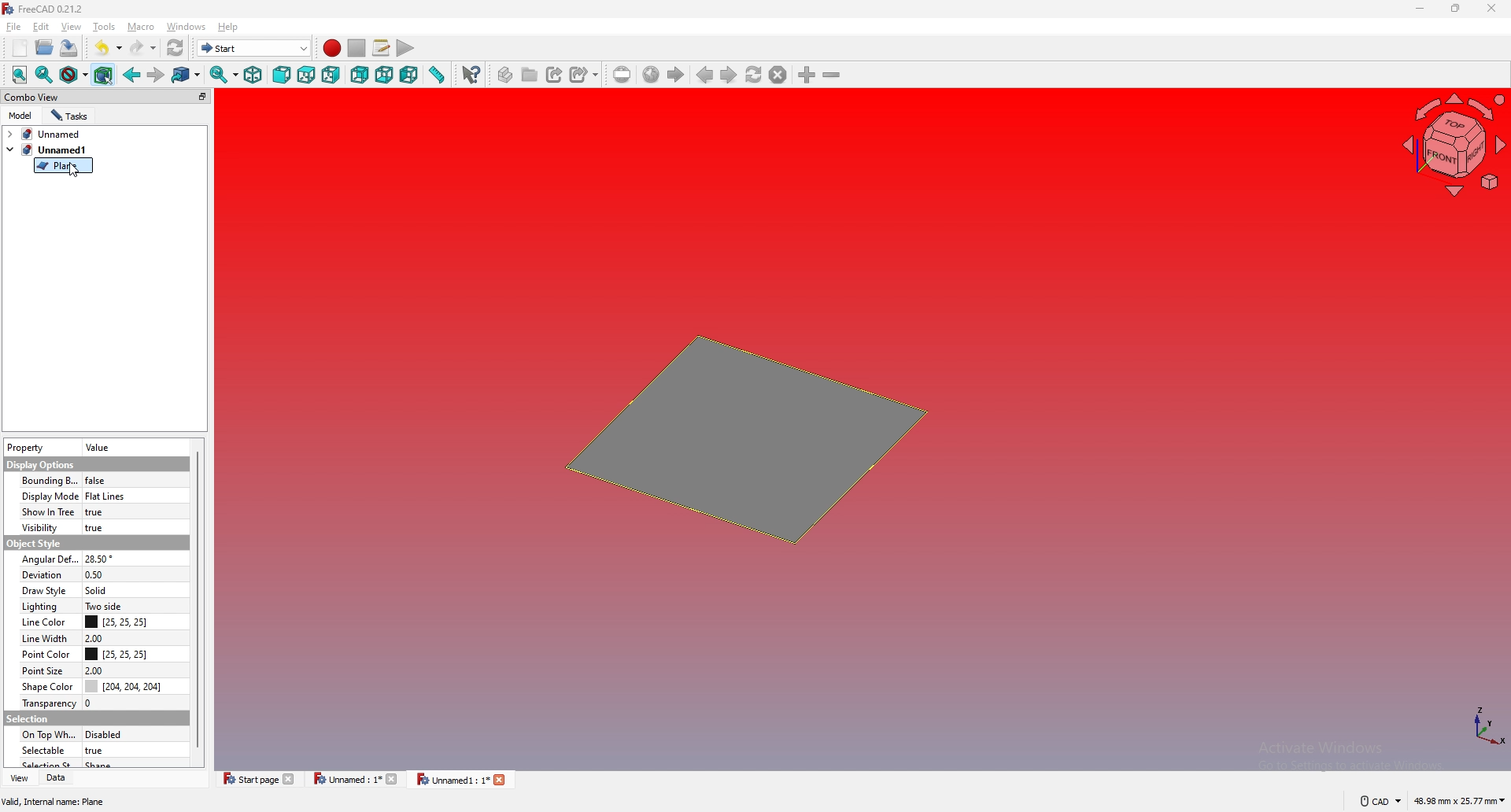 The width and height of the screenshot is (1511, 812). Describe the element at coordinates (332, 49) in the screenshot. I see `record macros` at that location.